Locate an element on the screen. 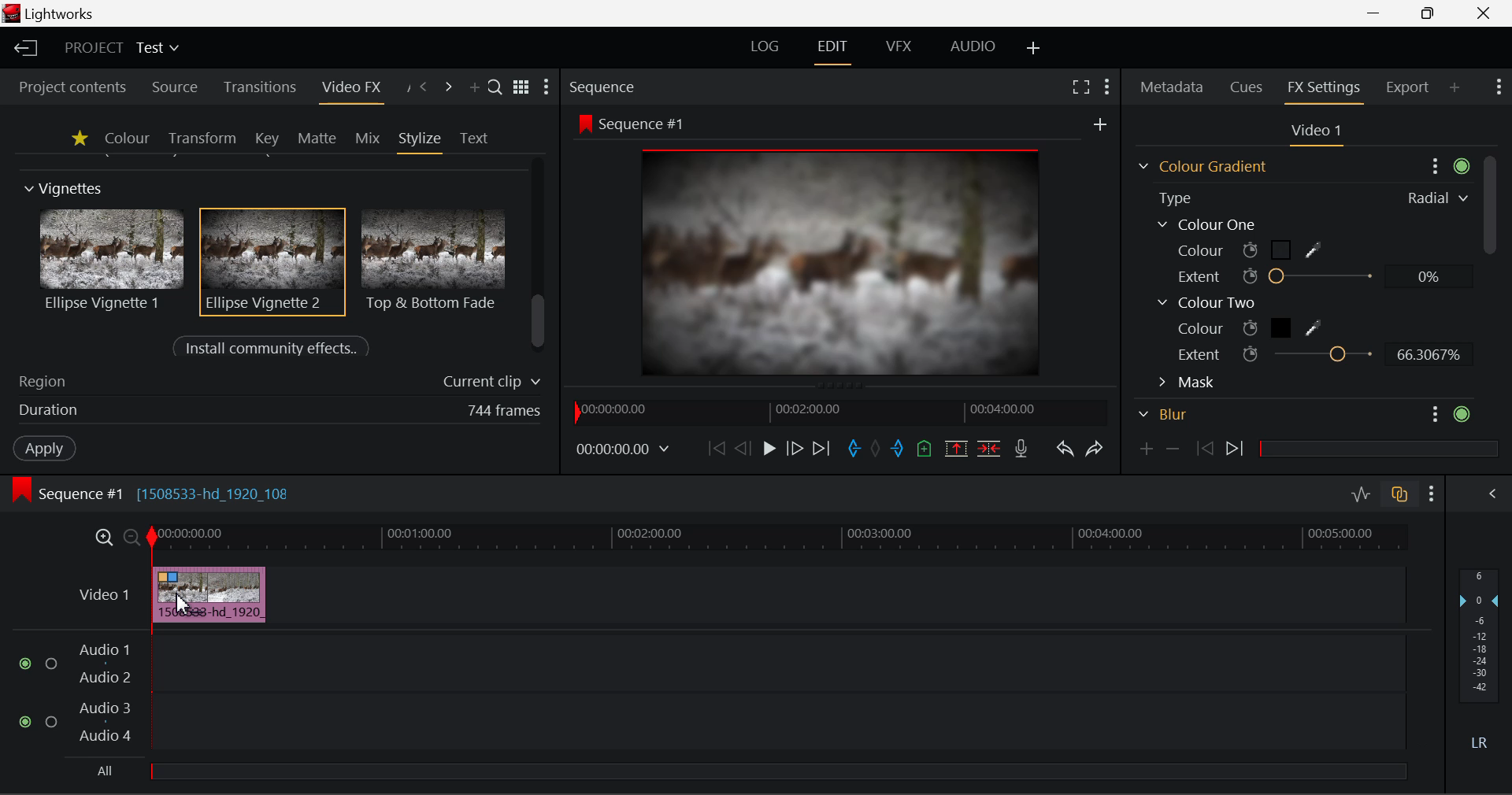 The height and width of the screenshot is (795, 1512). Toggle list & title view is located at coordinates (521, 89).